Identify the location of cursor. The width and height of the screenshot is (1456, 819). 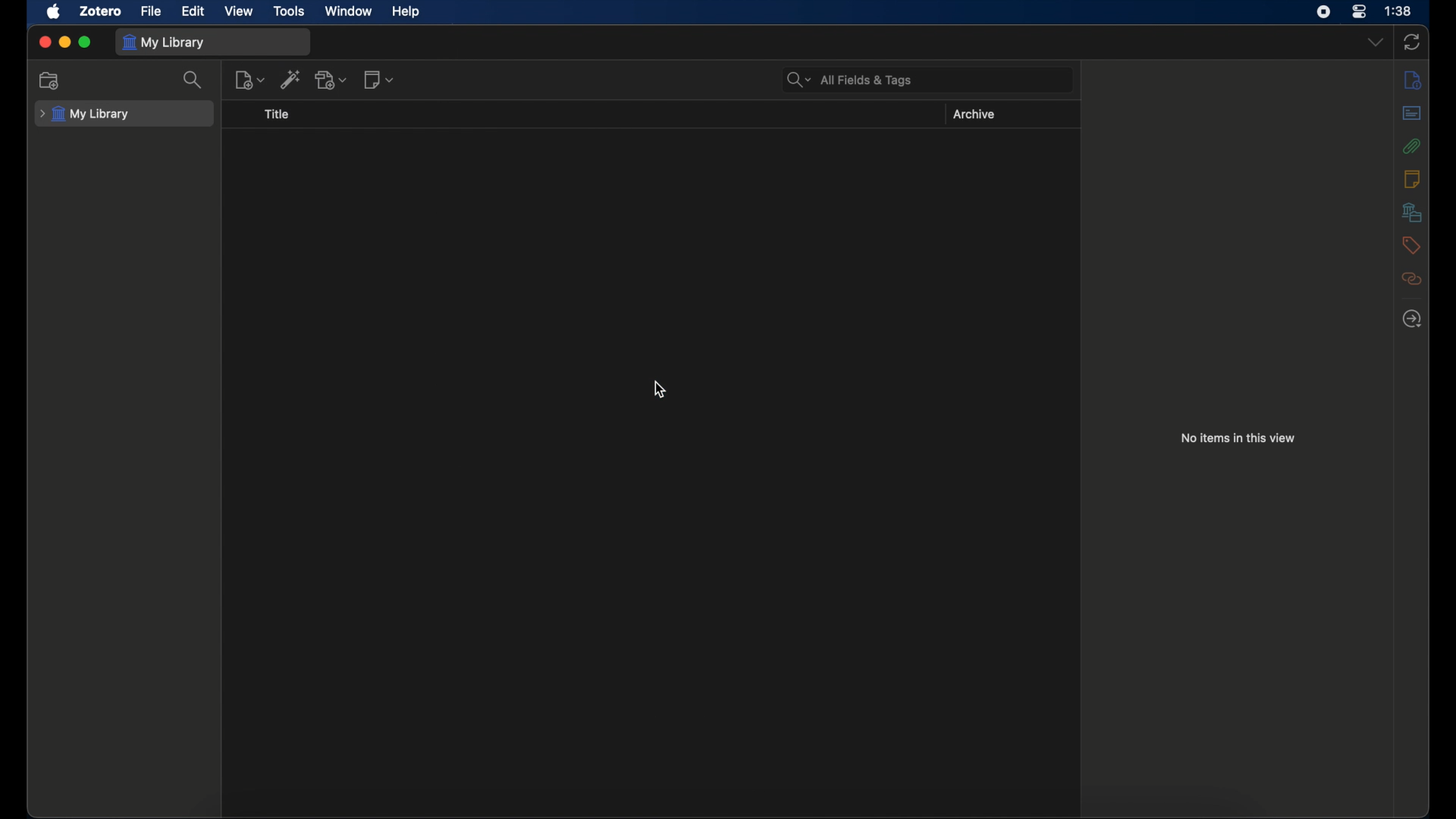
(658, 391).